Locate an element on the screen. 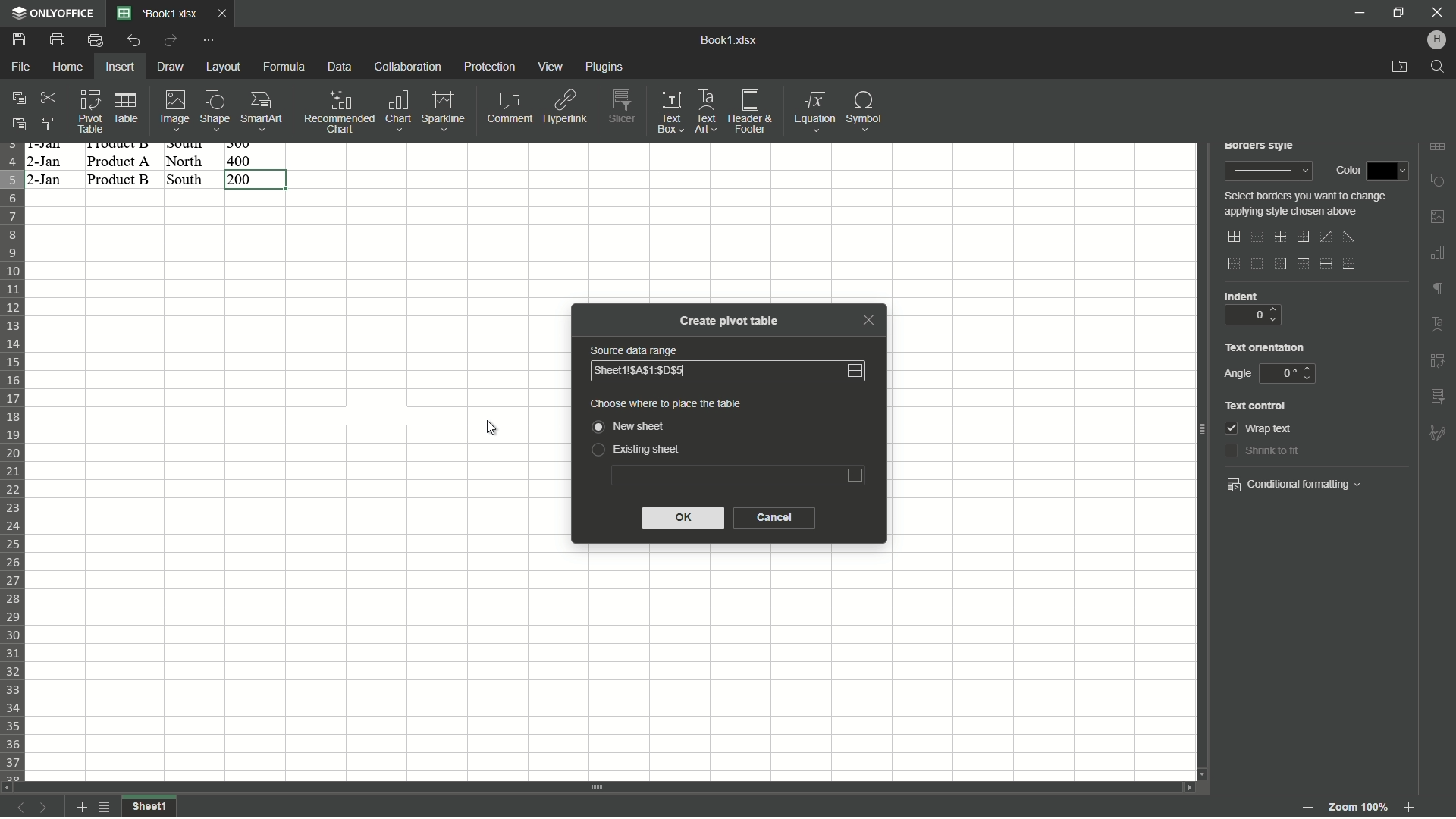 The width and height of the screenshot is (1456, 819). Source data range is located at coordinates (635, 349).